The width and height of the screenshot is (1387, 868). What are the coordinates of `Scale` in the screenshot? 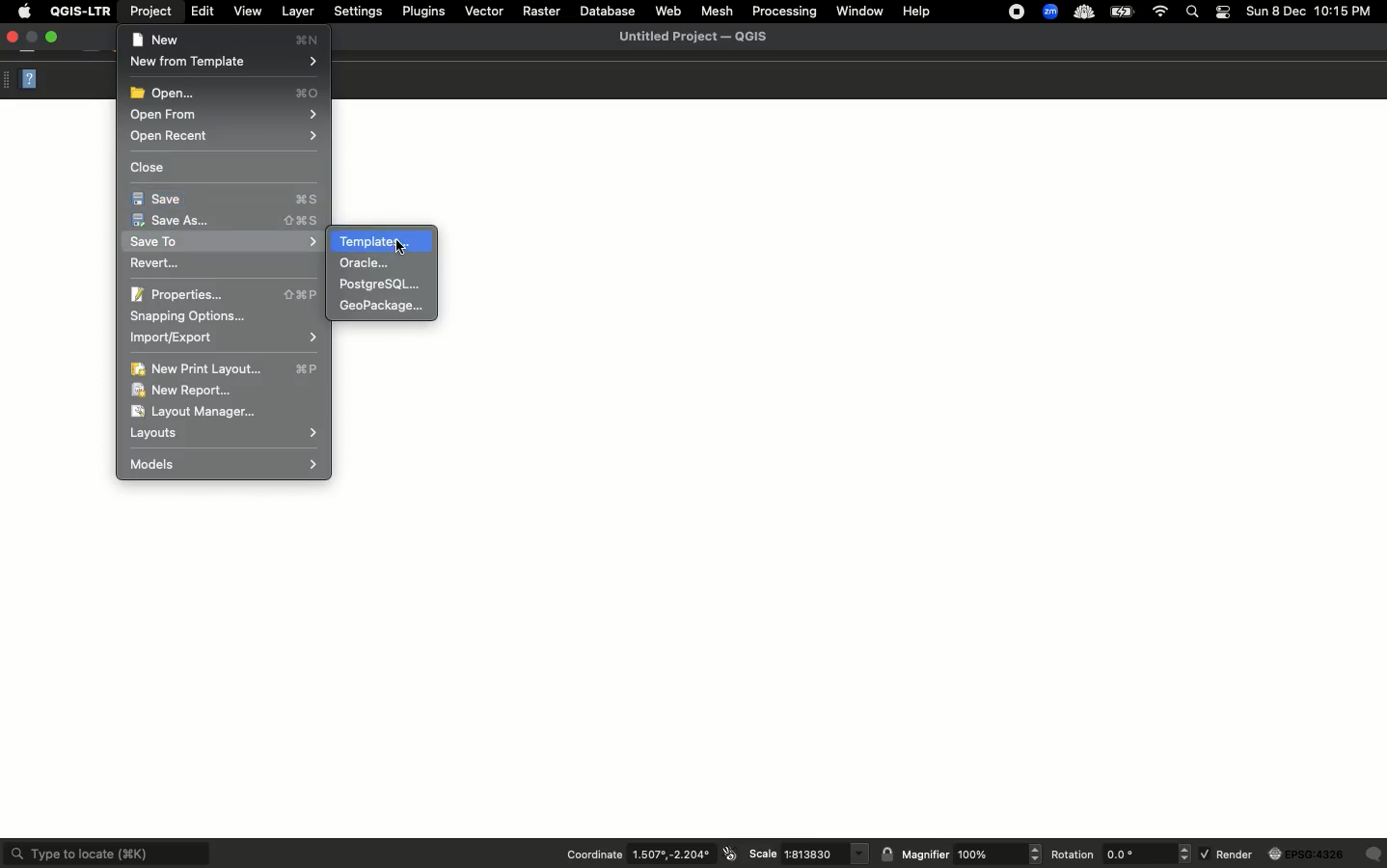 It's located at (762, 855).